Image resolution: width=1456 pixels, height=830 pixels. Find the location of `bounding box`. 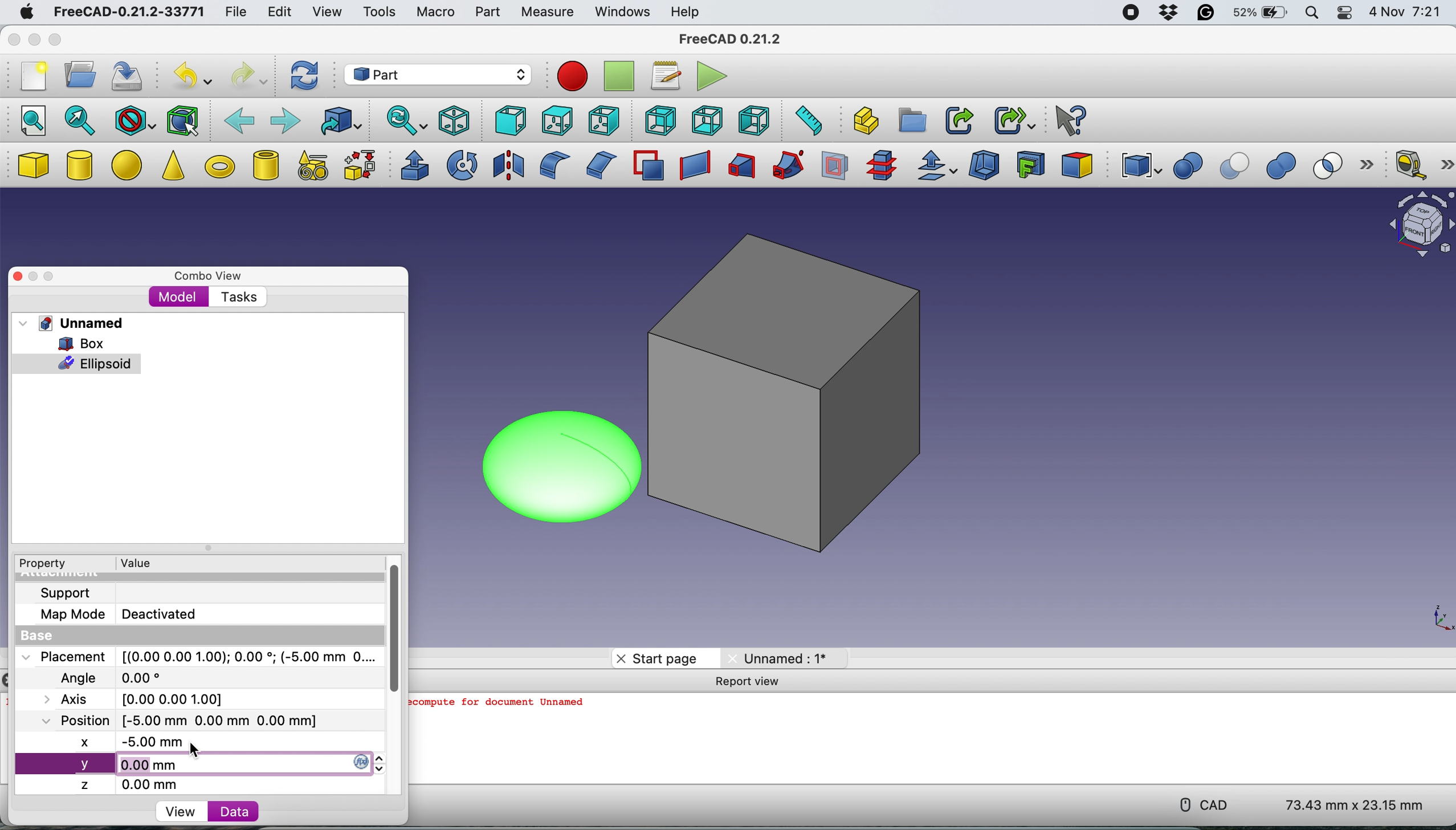

bounding box is located at coordinates (183, 120).